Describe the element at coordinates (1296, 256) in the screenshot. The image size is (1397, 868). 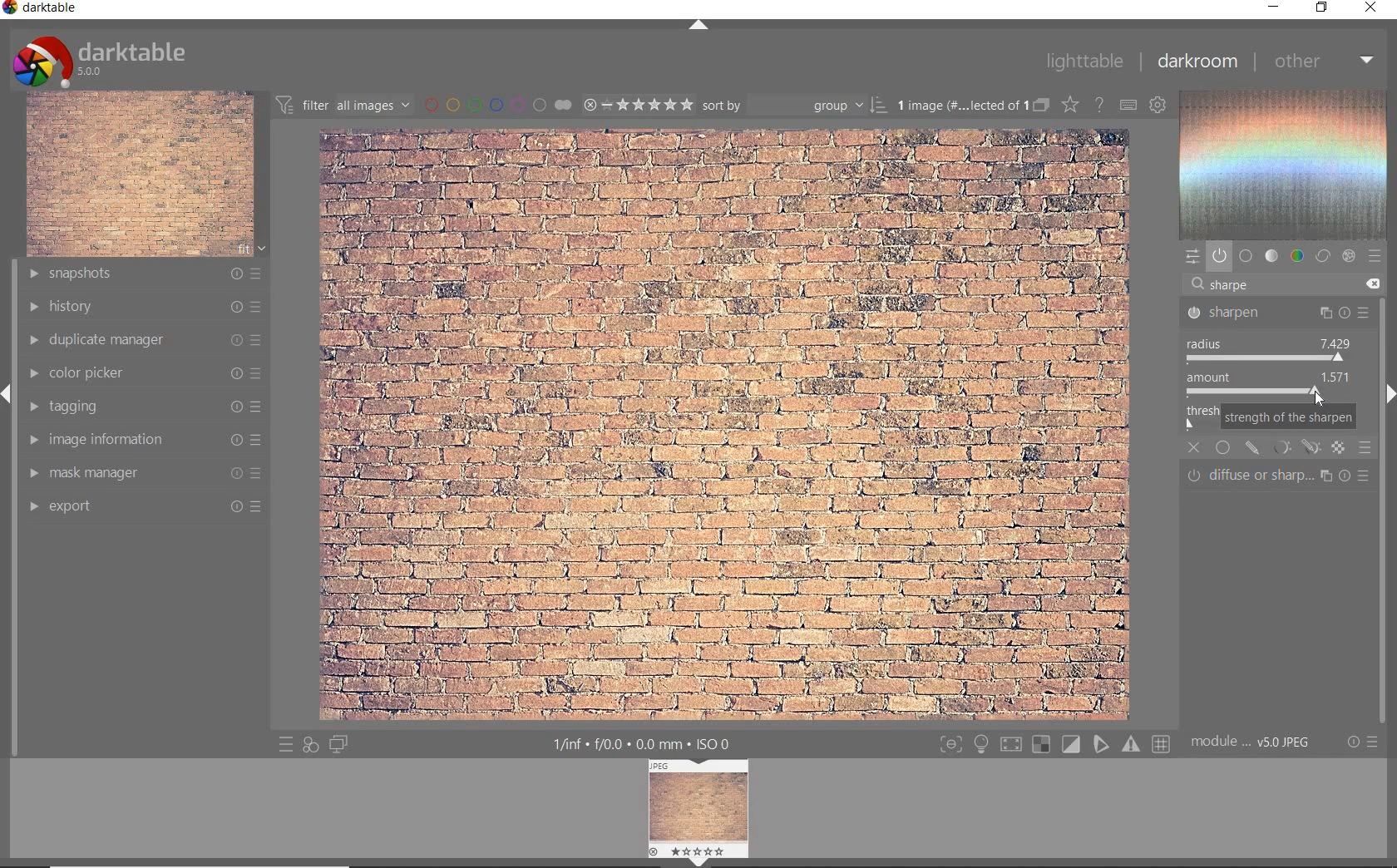
I see `color` at that location.